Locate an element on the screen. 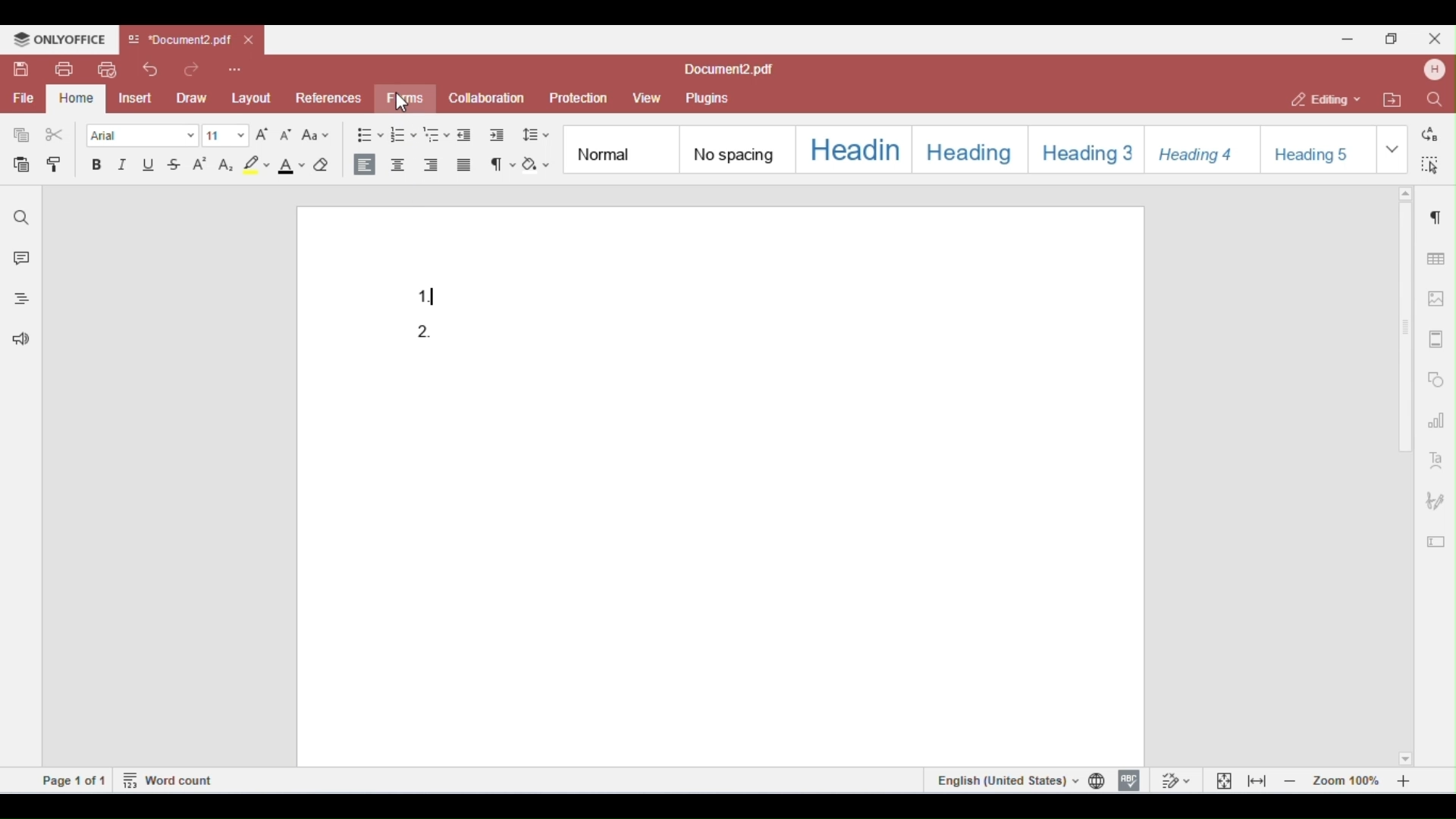  word count is located at coordinates (169, 779).